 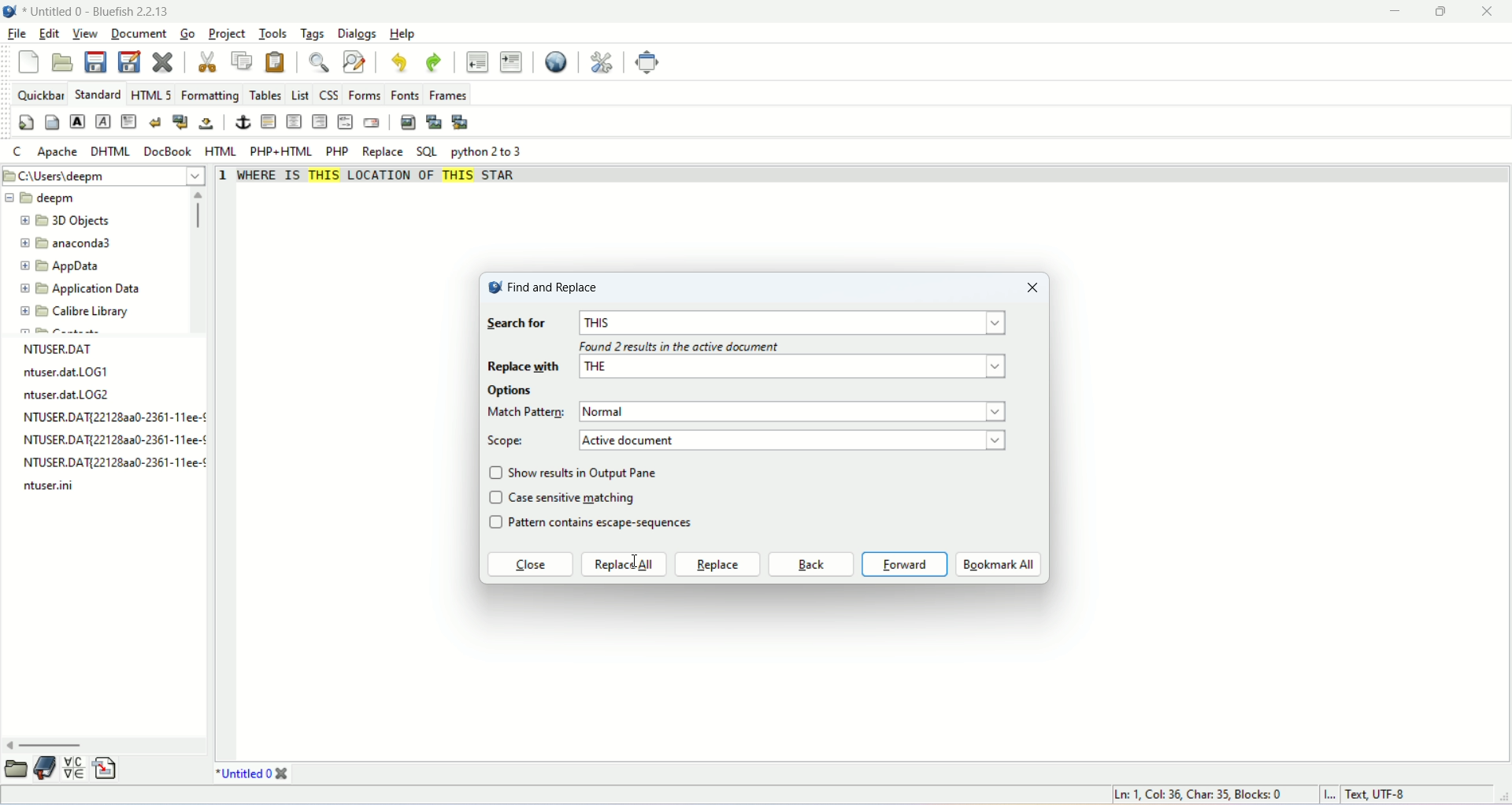 I want to click on frames, so click(x=449, y=96).